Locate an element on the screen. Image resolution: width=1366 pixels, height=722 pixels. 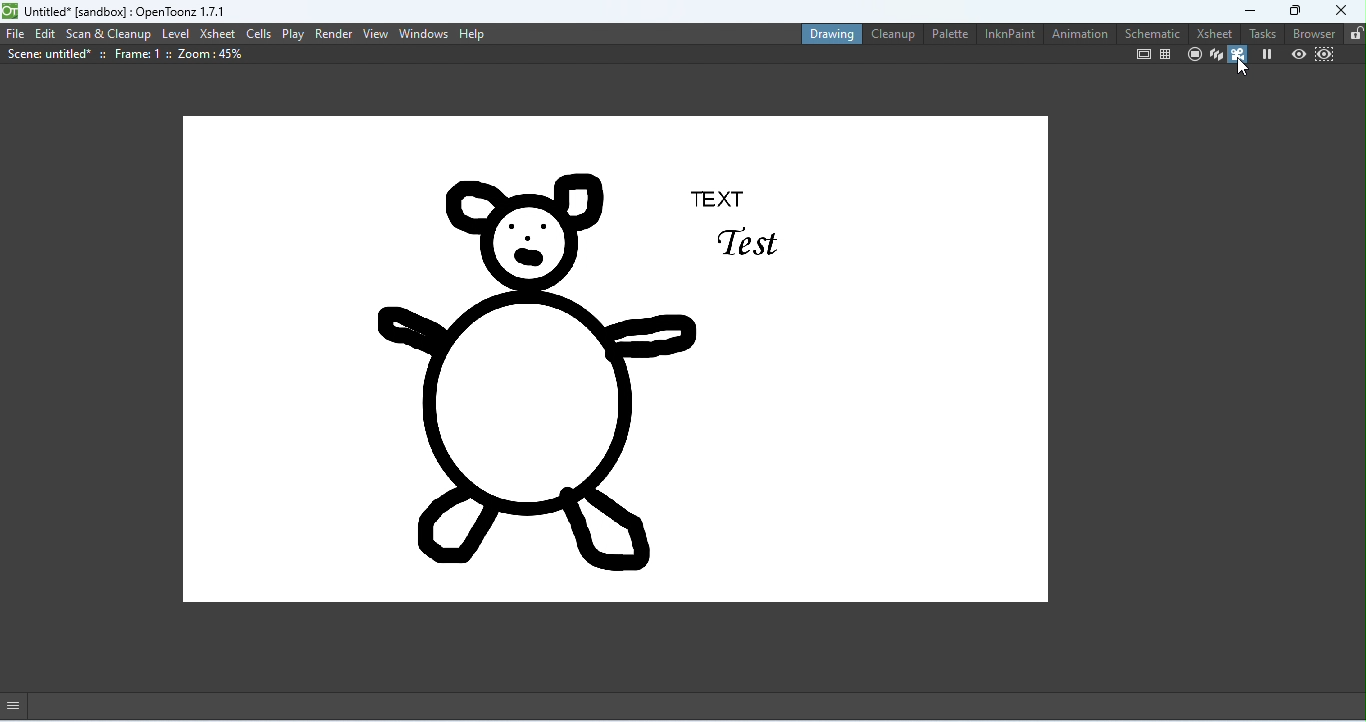
3D view is located at coordinates (1214, 55).